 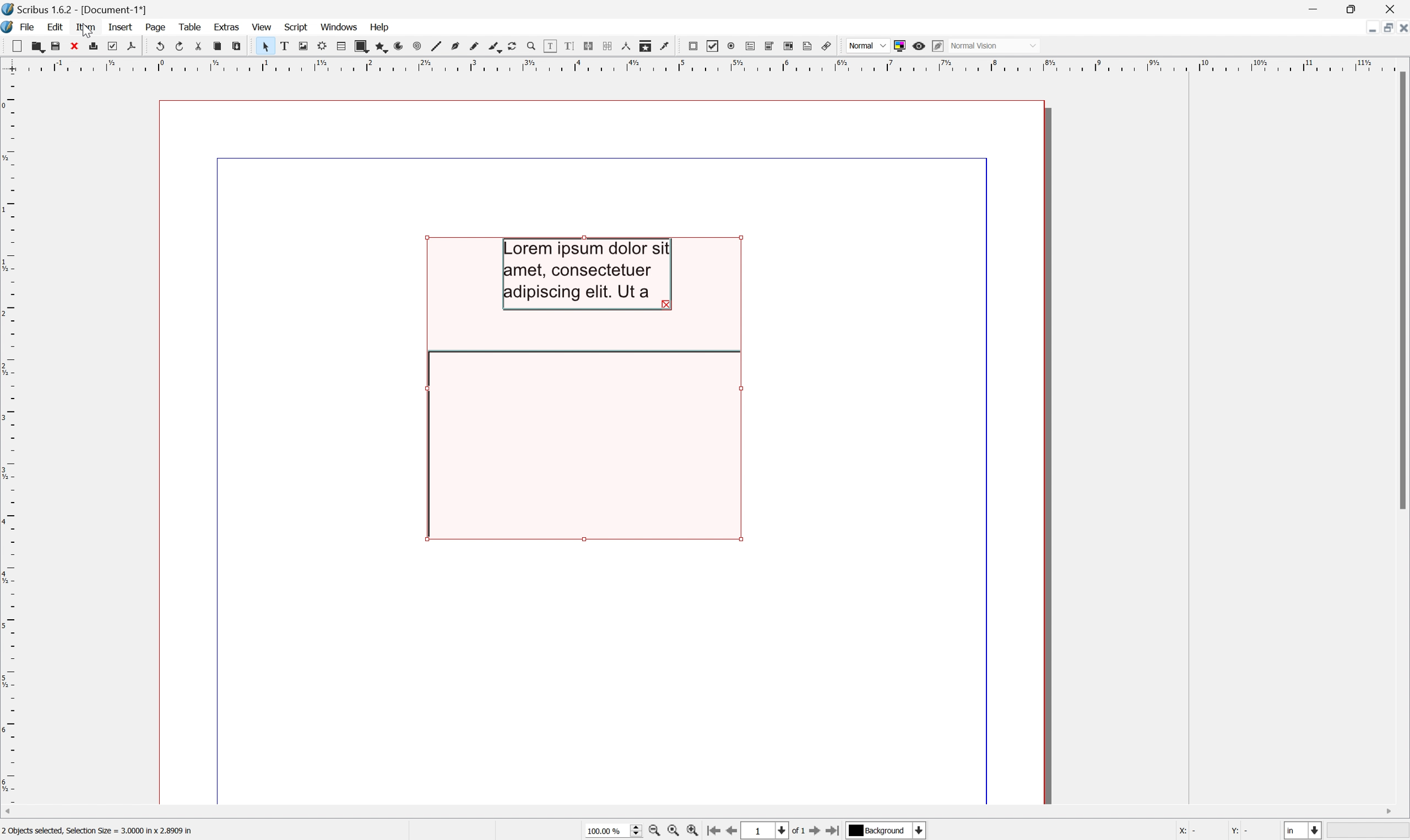 I want to click on Restore Down, so click(x=1351, y=7).